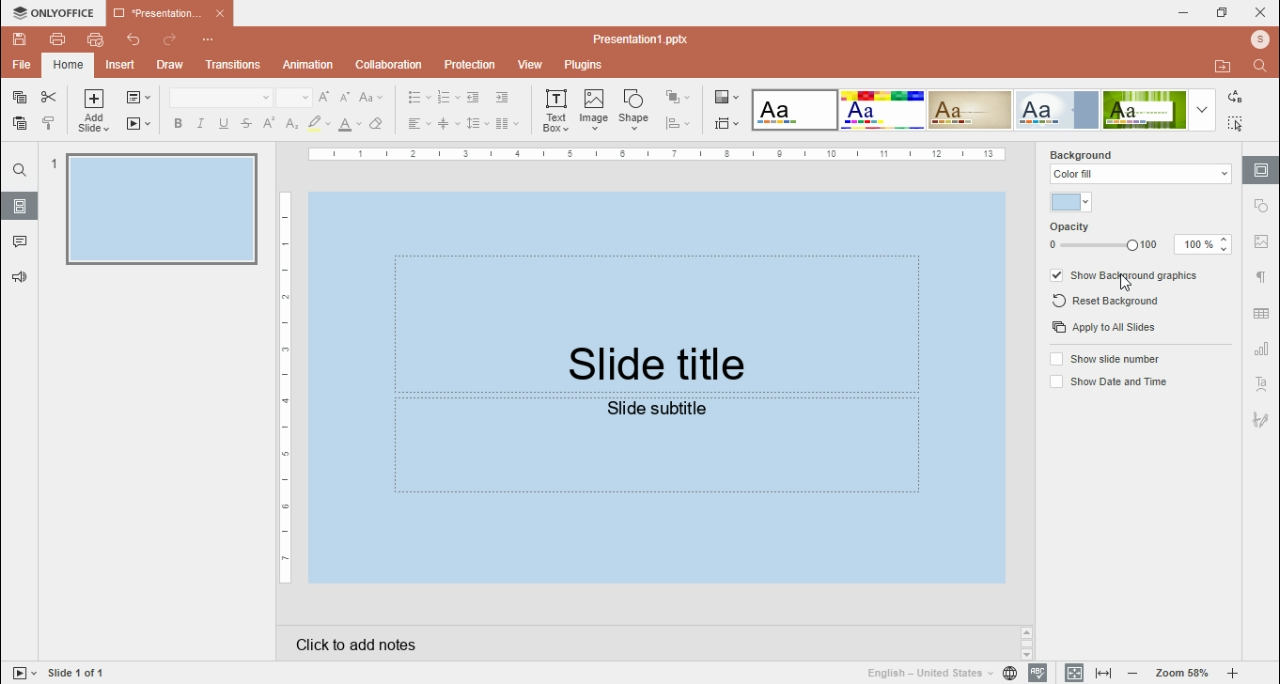 The height and width of the screenshot is (684, 1280). I want to click on superscript, so click(270, 123).